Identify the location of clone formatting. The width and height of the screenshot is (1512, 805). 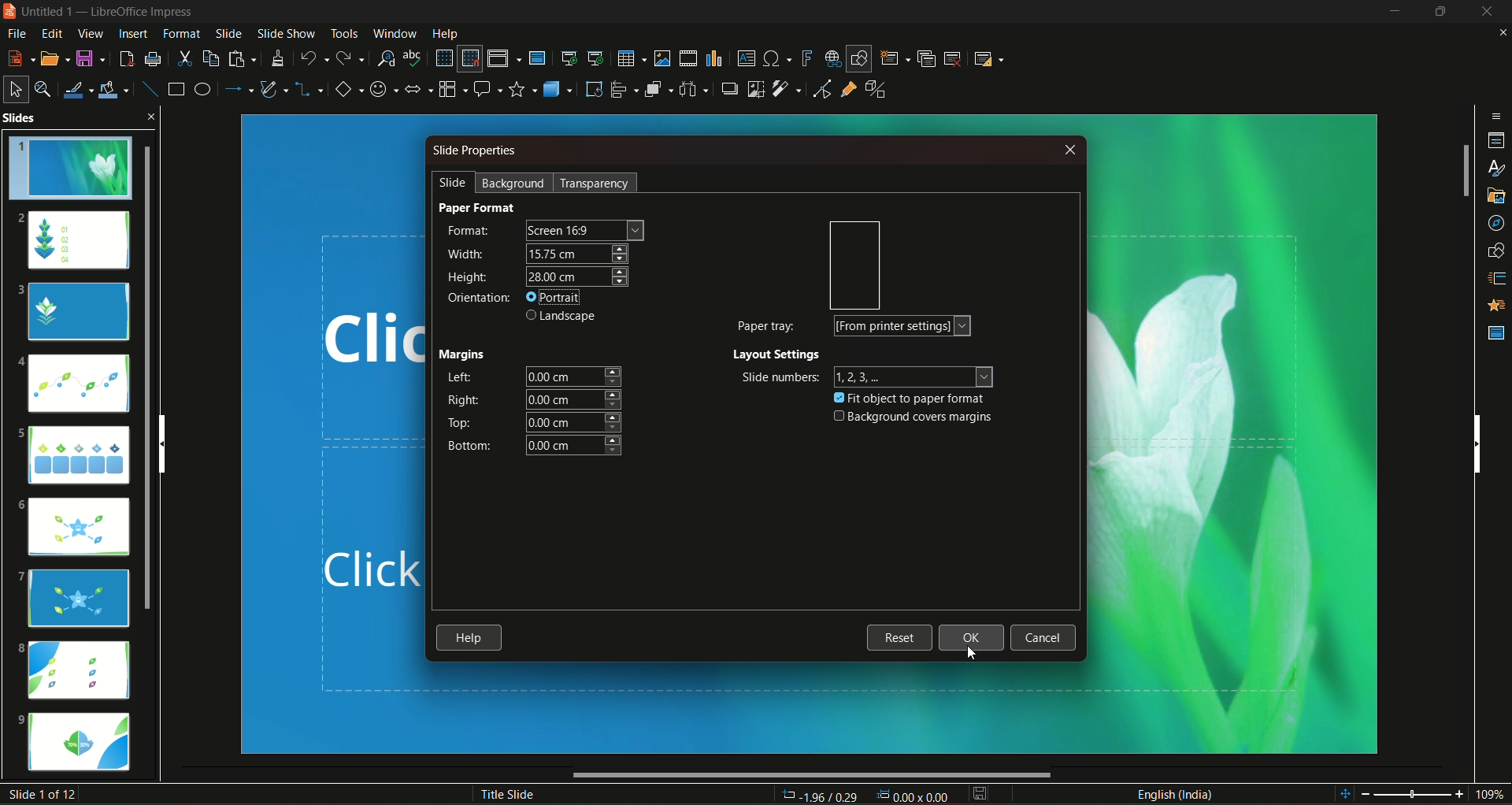
(280, 58).